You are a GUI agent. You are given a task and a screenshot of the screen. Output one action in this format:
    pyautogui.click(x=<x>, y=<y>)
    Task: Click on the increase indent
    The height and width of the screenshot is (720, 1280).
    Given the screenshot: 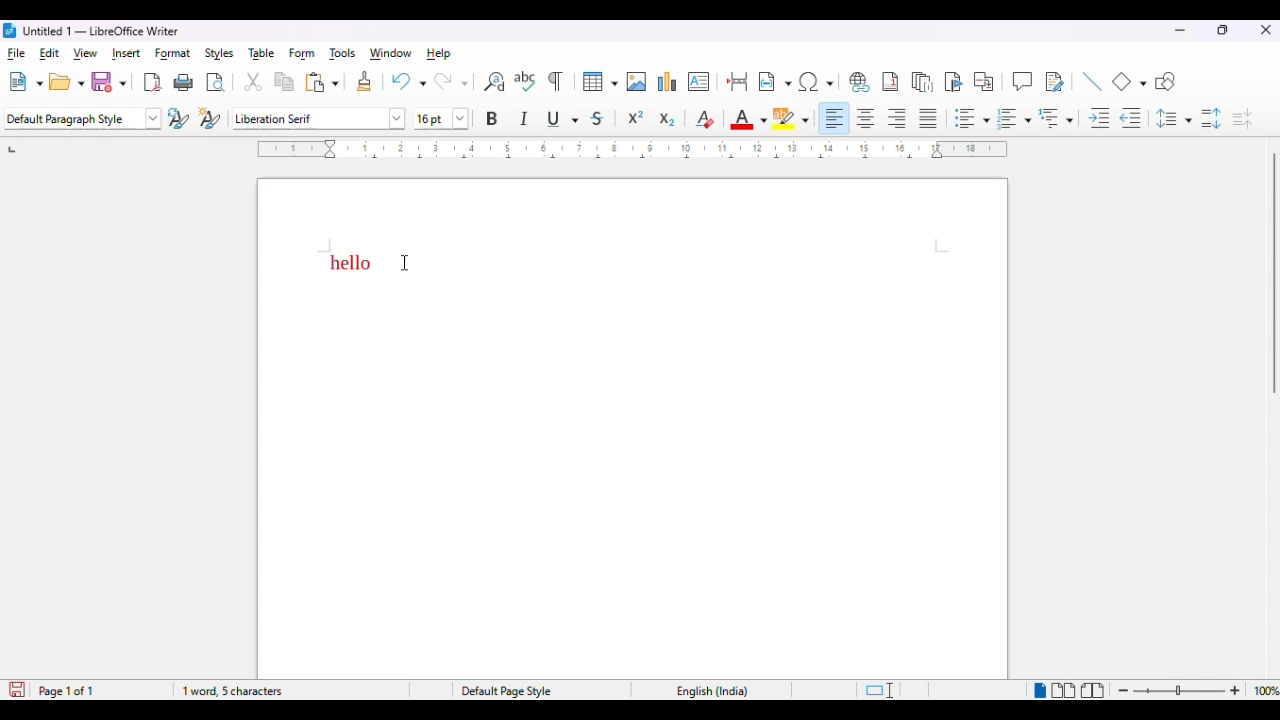 What is the action you would take?
    pyautogui.click(x=1098, y=119)
    